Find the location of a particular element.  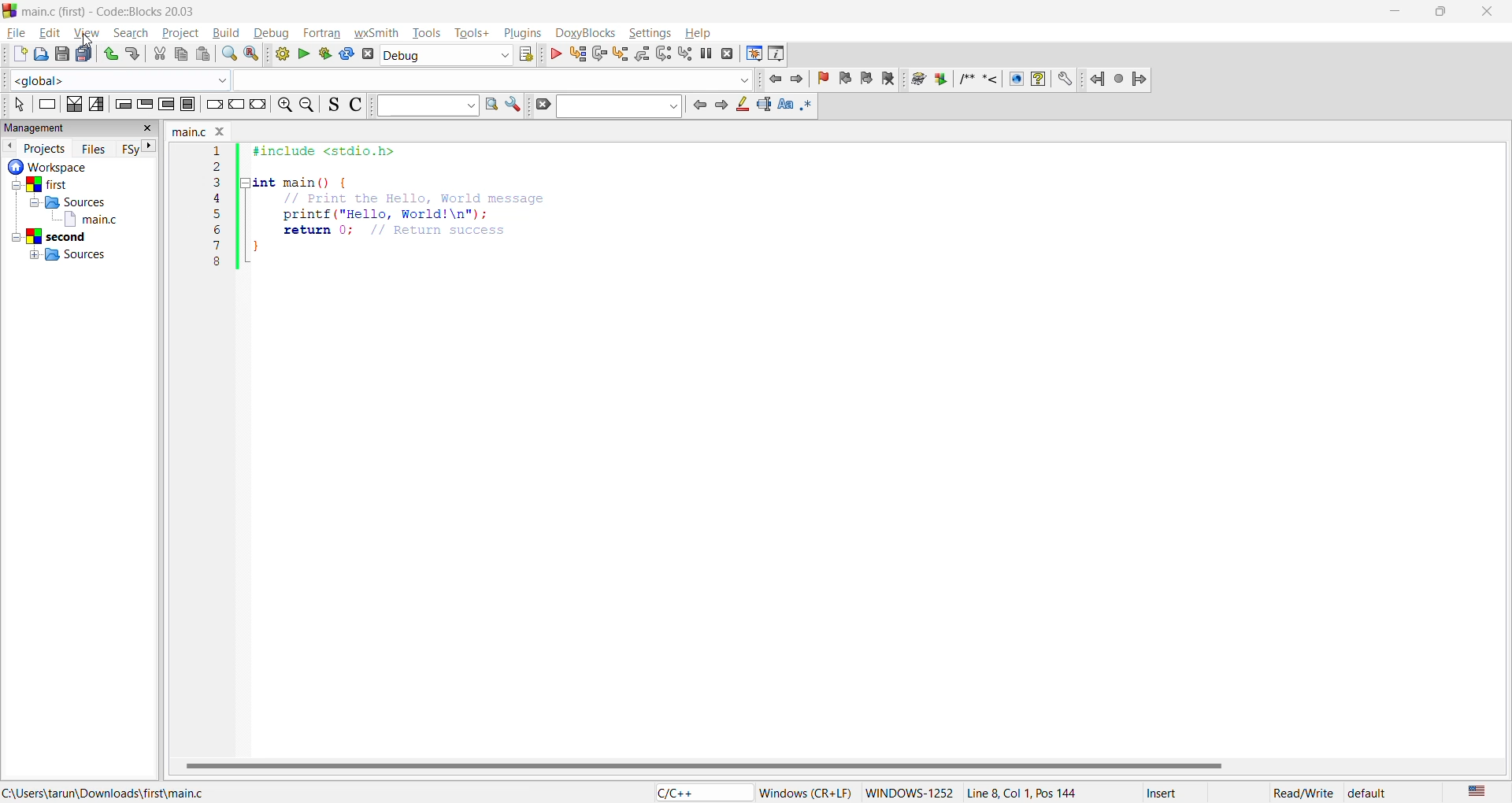

toggle bookmarks is located at coordinates (825, 78).